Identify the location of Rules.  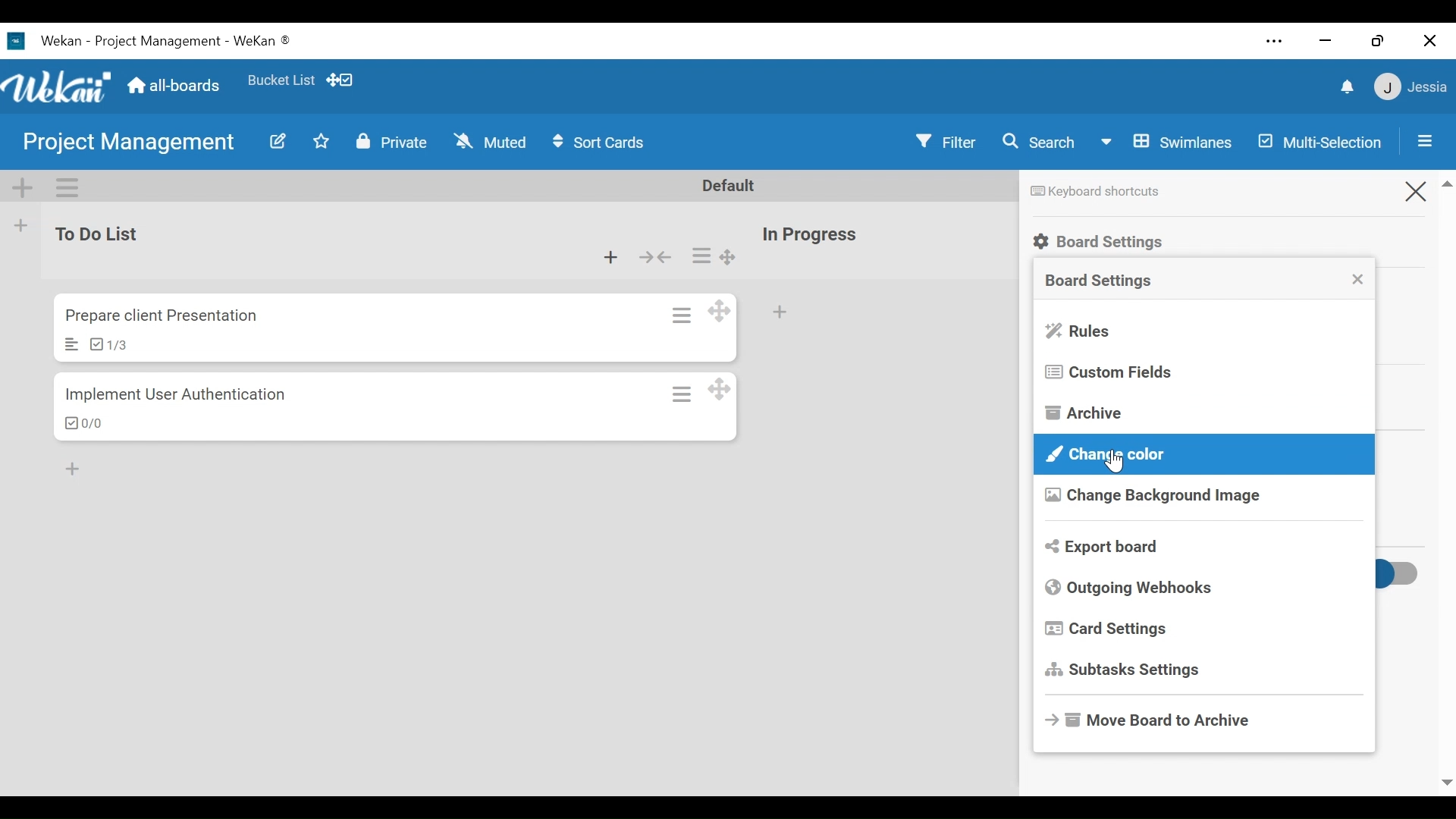
(1080, 332).